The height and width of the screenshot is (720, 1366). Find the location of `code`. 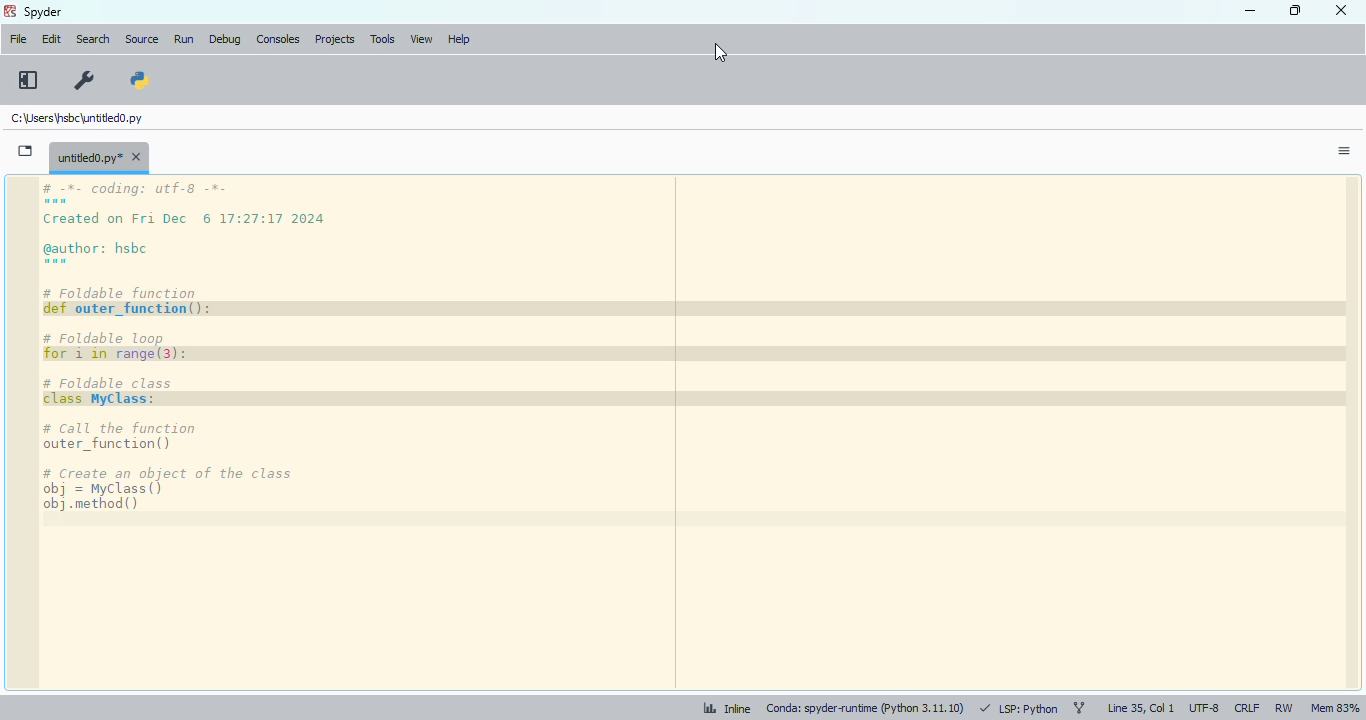

code is located at coordinates (210, 348).